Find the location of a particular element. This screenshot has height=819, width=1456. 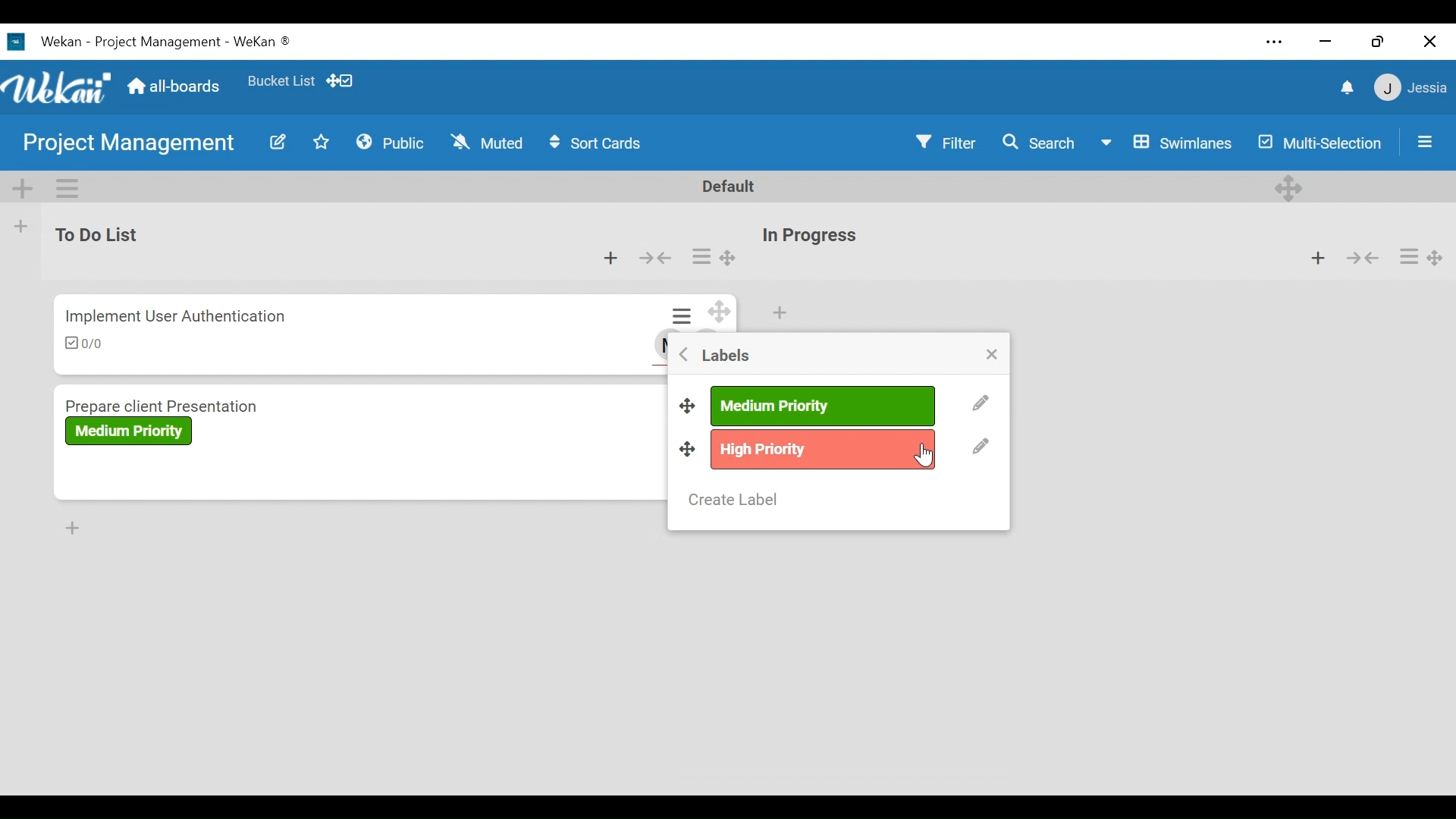

restore is located at coordinates (1378, 41).